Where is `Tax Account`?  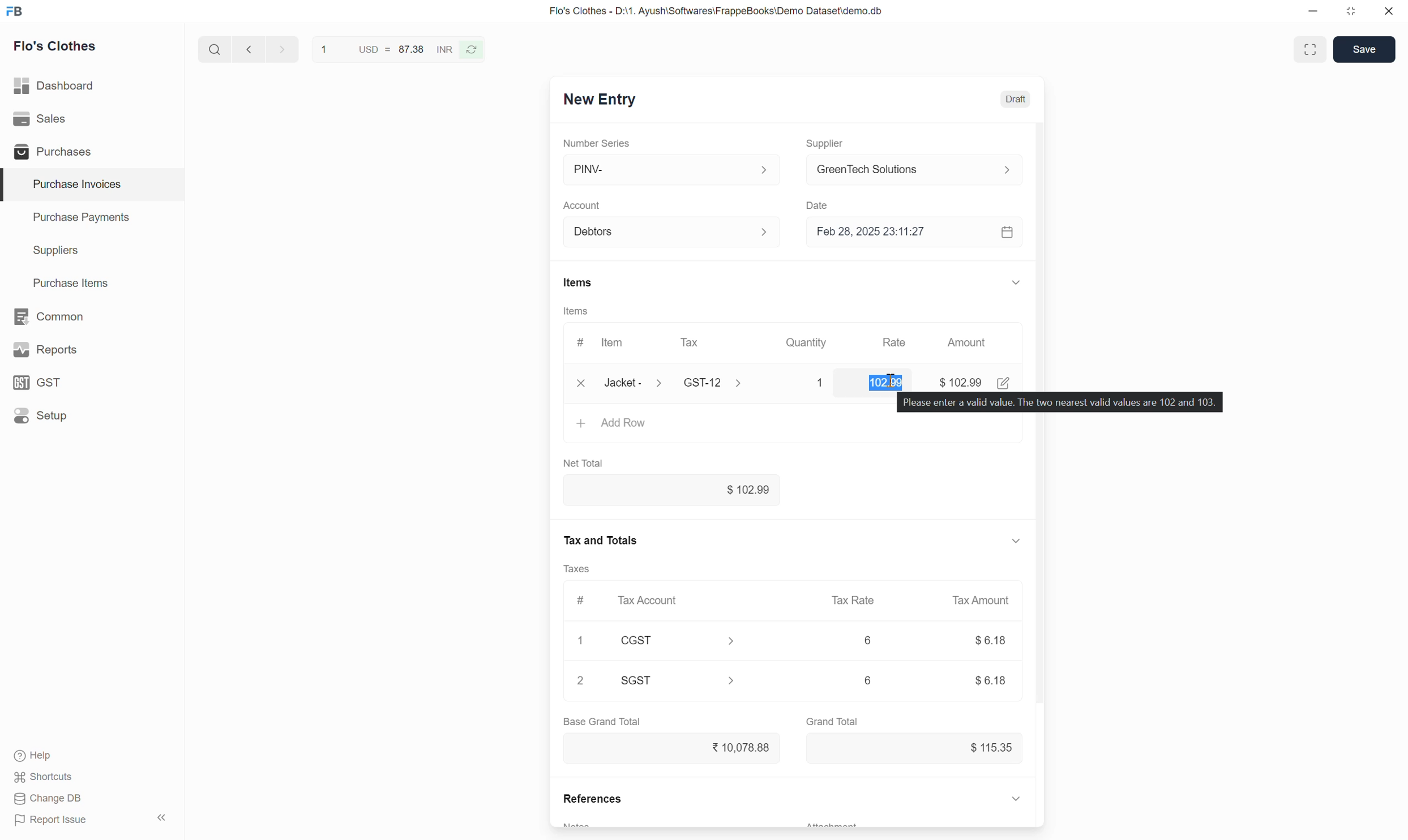 Tax Account is located at coordinates (677, 600).